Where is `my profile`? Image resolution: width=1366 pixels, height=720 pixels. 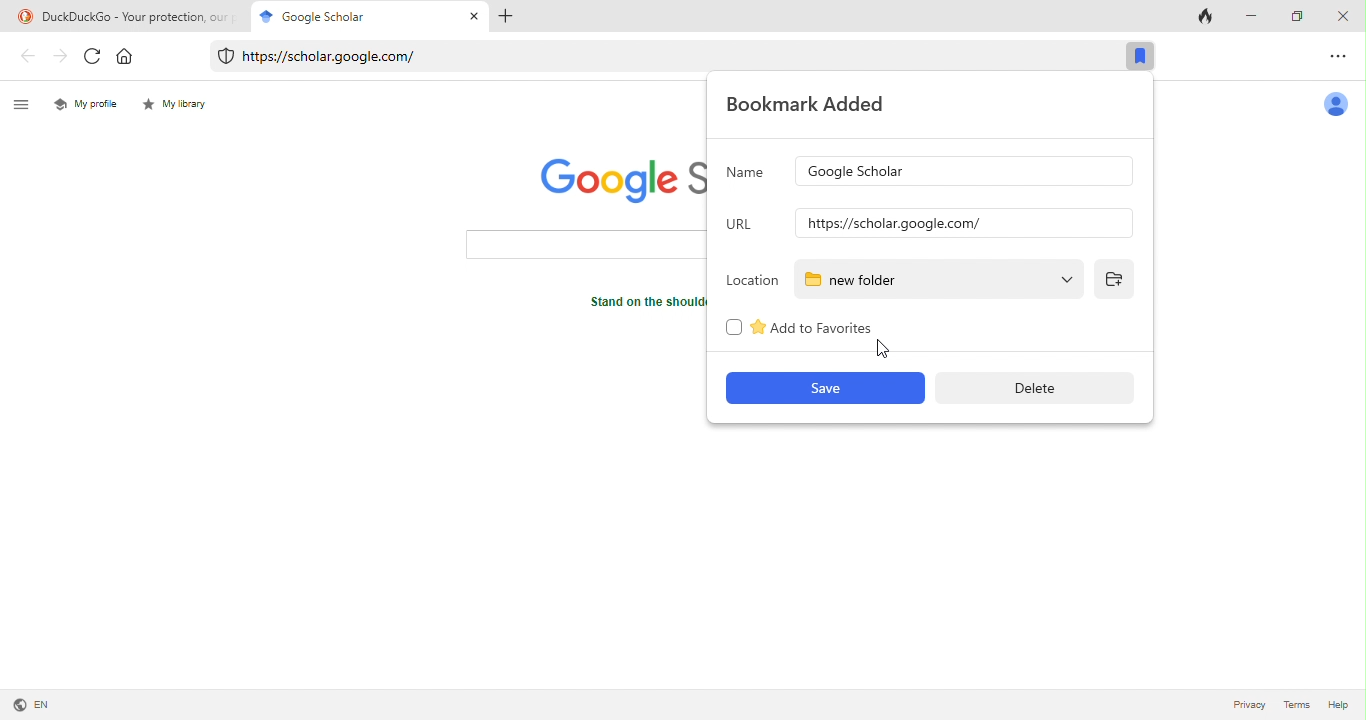
my profile is located at coordinates (86, 103).